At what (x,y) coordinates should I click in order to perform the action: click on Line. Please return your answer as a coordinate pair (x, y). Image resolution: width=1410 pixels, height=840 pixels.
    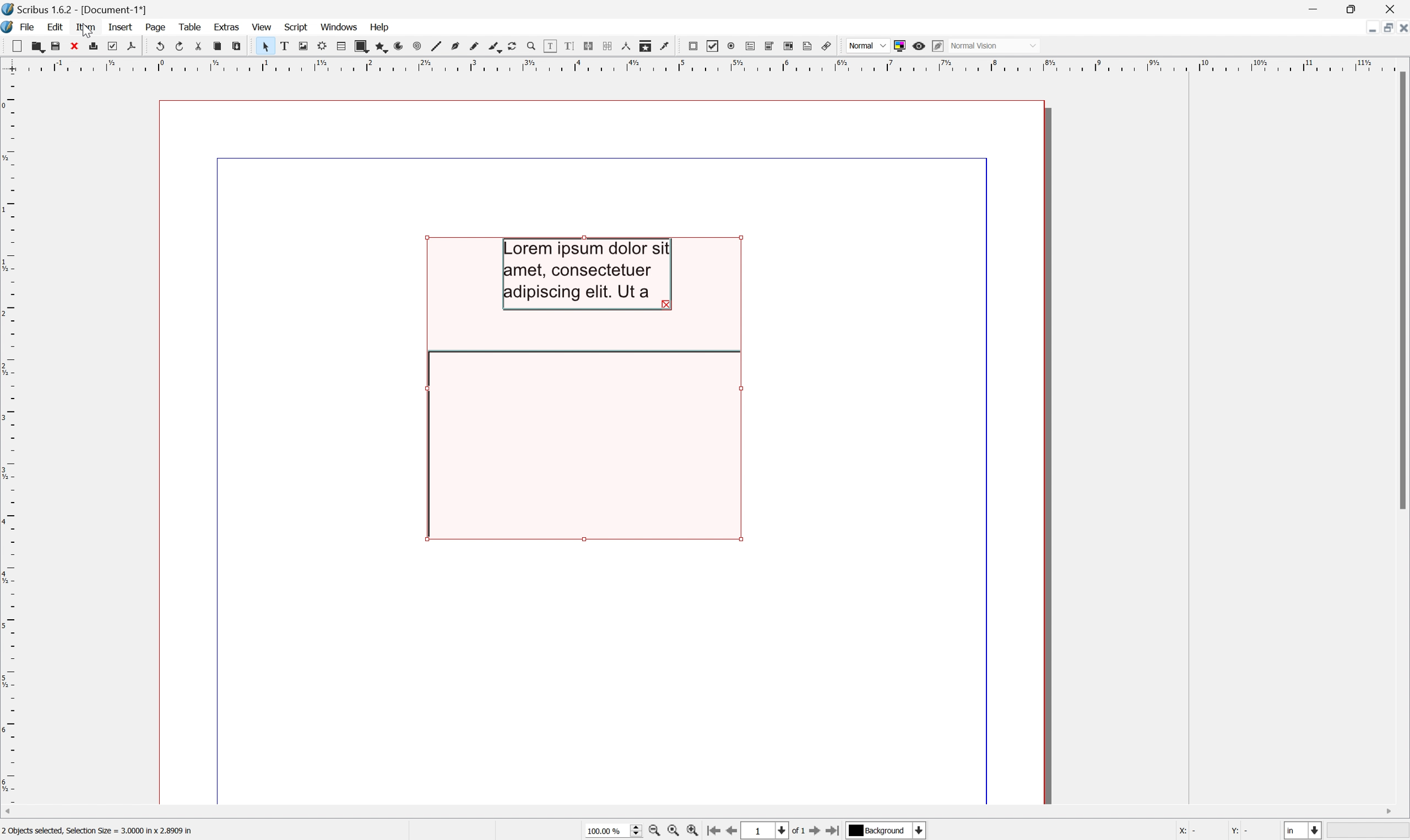
    Looking at the image, I should click on (434, 46).